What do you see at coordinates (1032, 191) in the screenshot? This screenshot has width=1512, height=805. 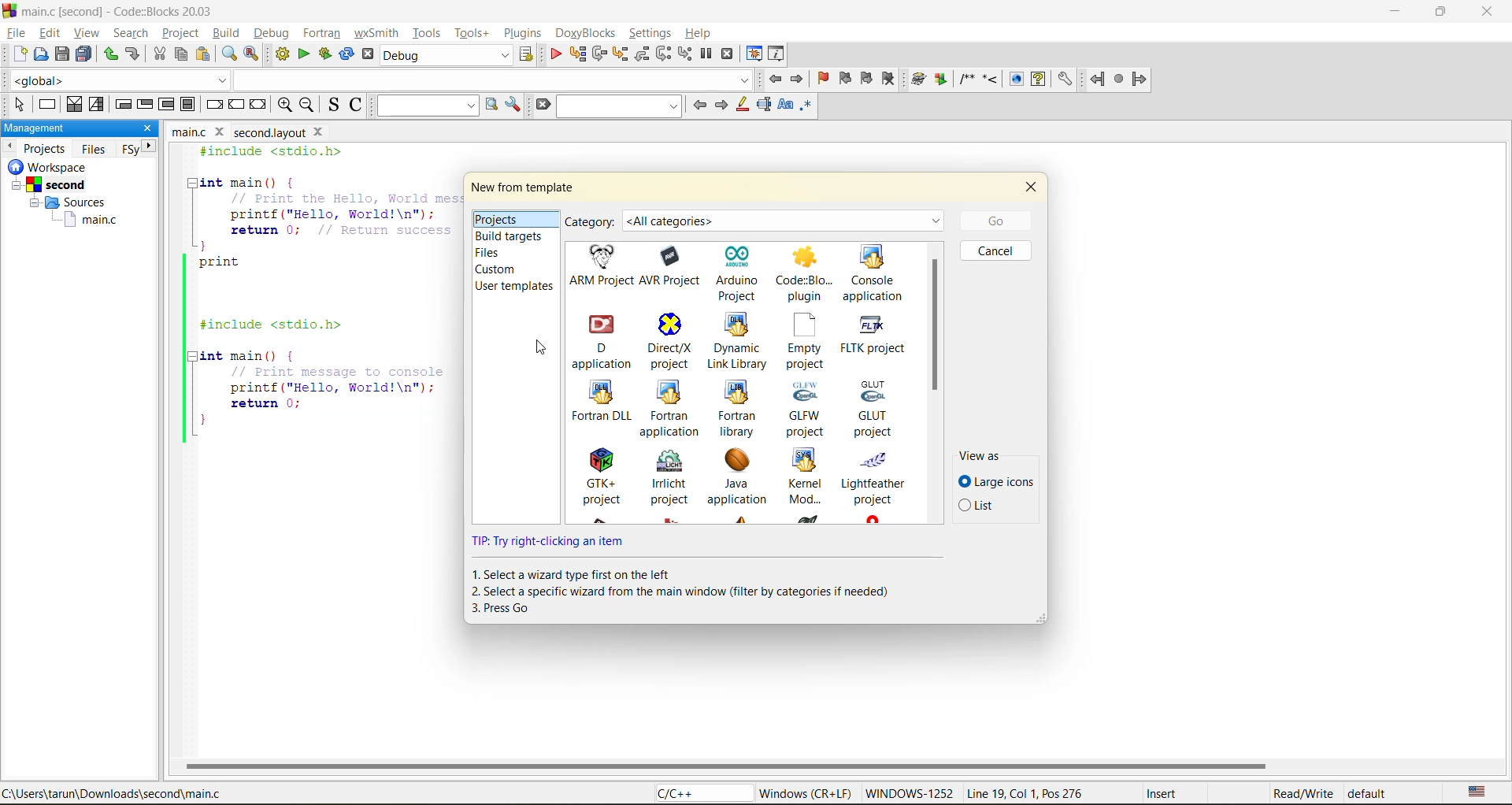 I see `close` at bounding box center [1032, 191].